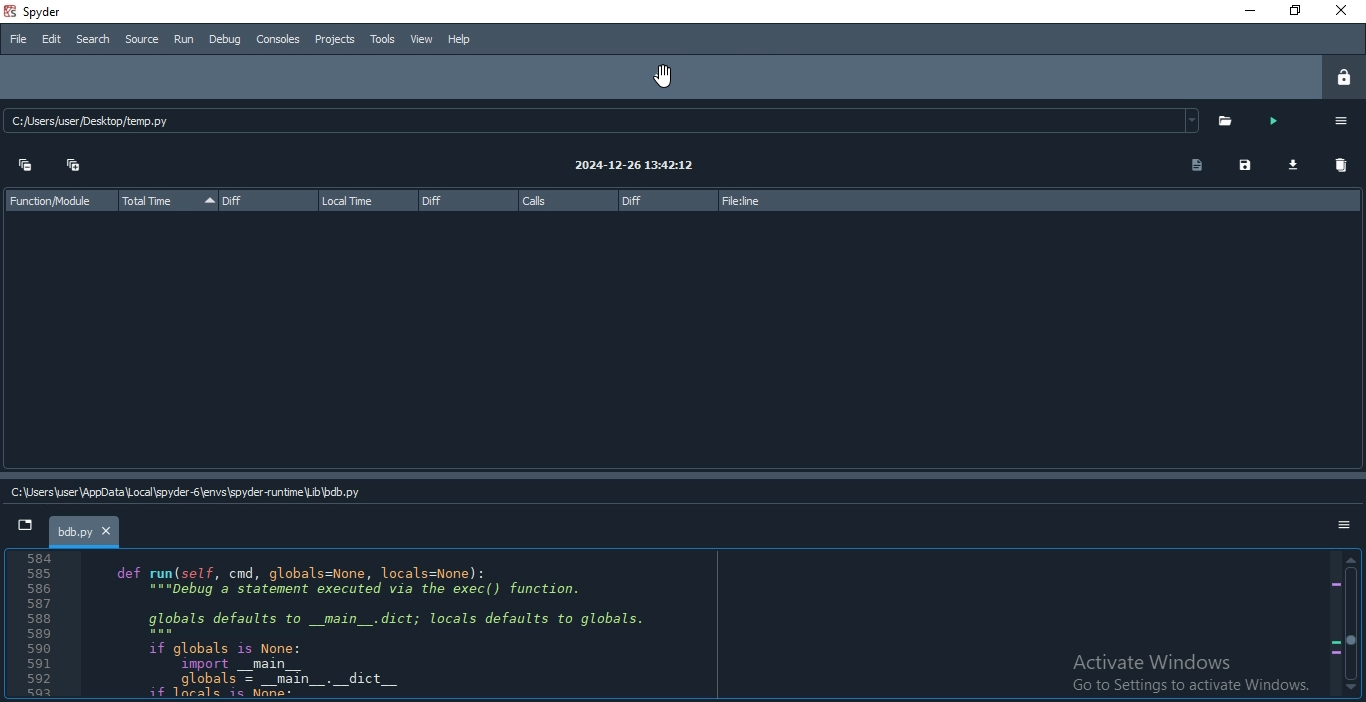  I want to click on File , so click(18, 37).